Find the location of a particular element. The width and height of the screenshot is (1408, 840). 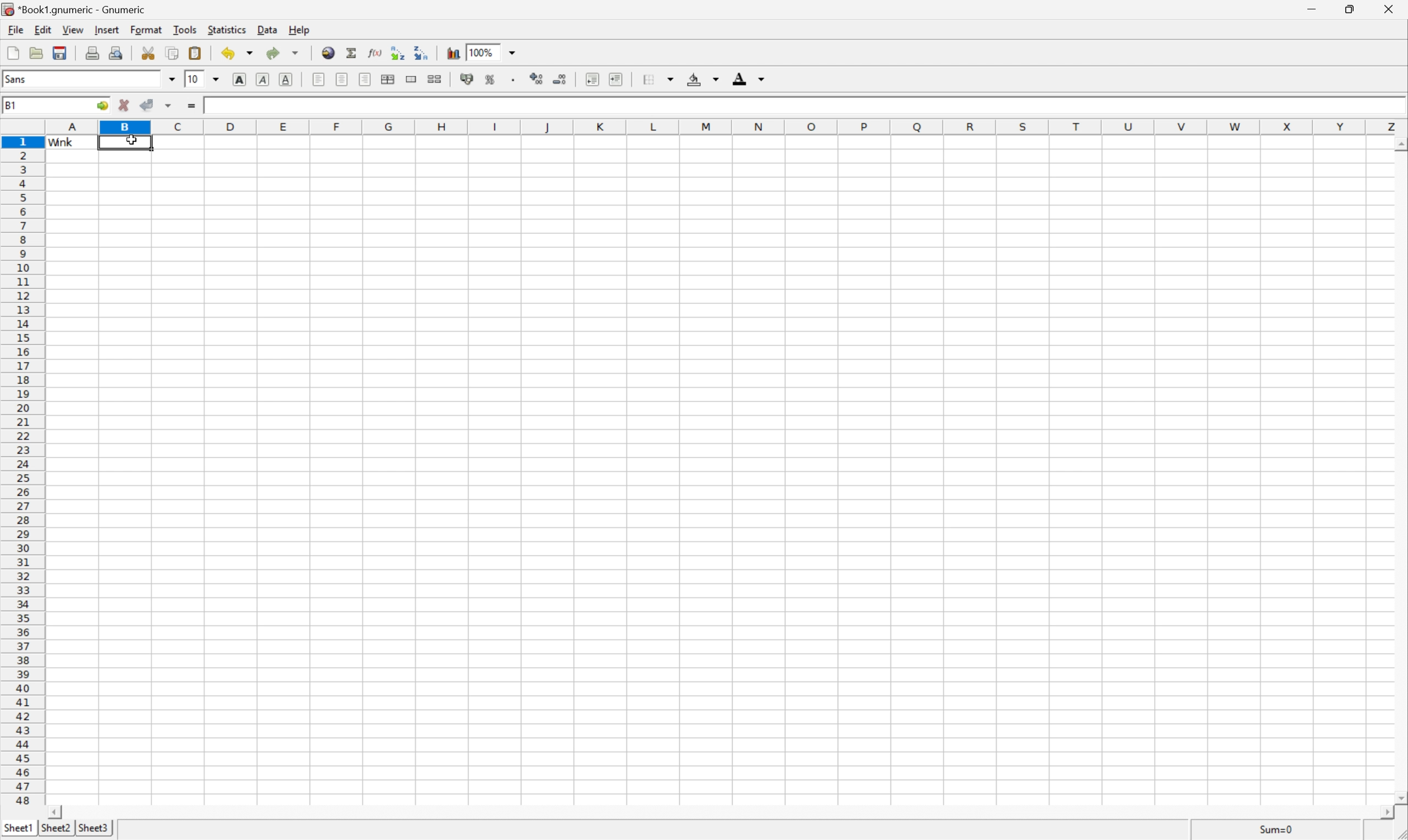

foreground is located at coordinates (751, 78).